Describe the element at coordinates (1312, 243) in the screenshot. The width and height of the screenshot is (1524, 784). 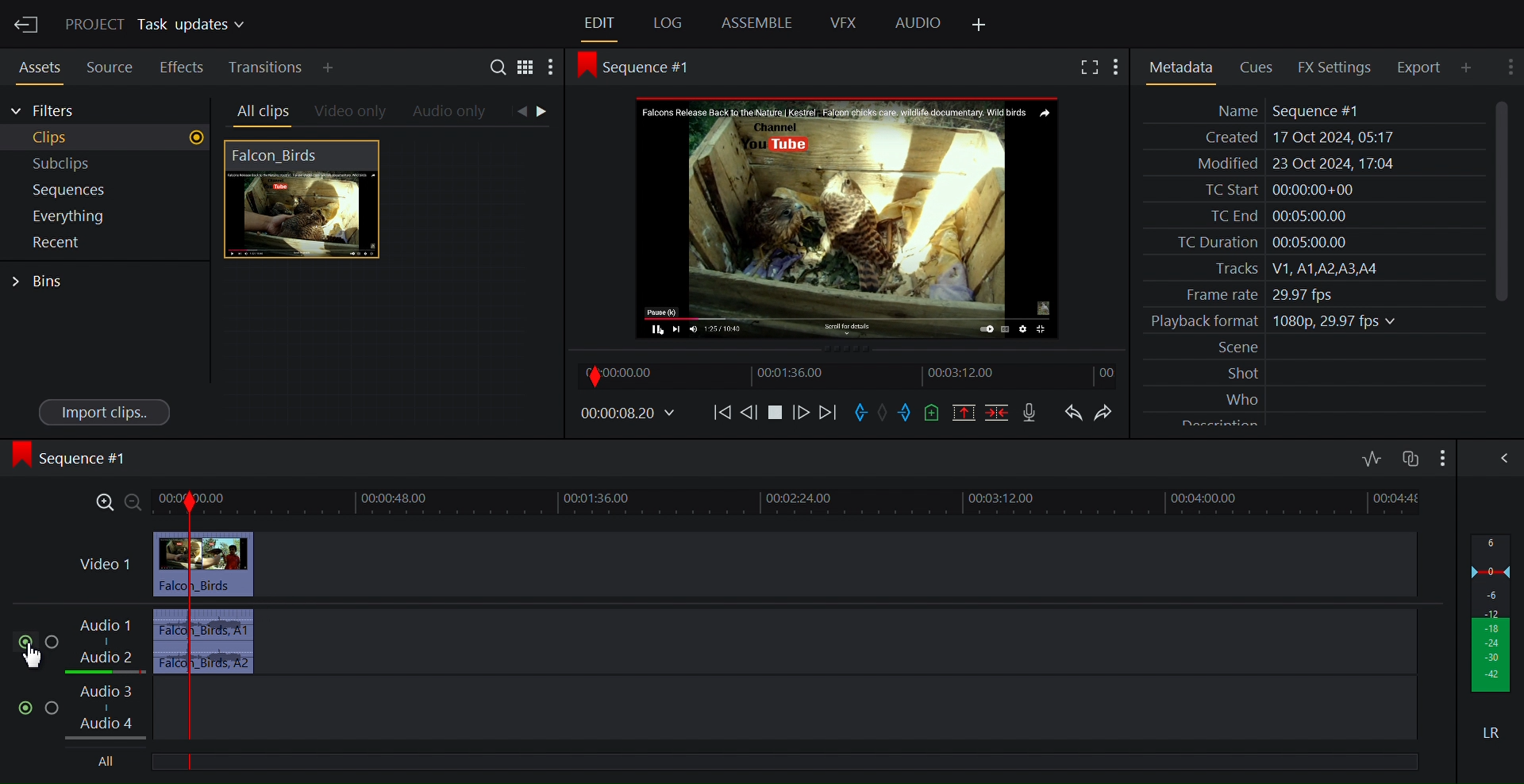
I see `TC Duration` at that location.